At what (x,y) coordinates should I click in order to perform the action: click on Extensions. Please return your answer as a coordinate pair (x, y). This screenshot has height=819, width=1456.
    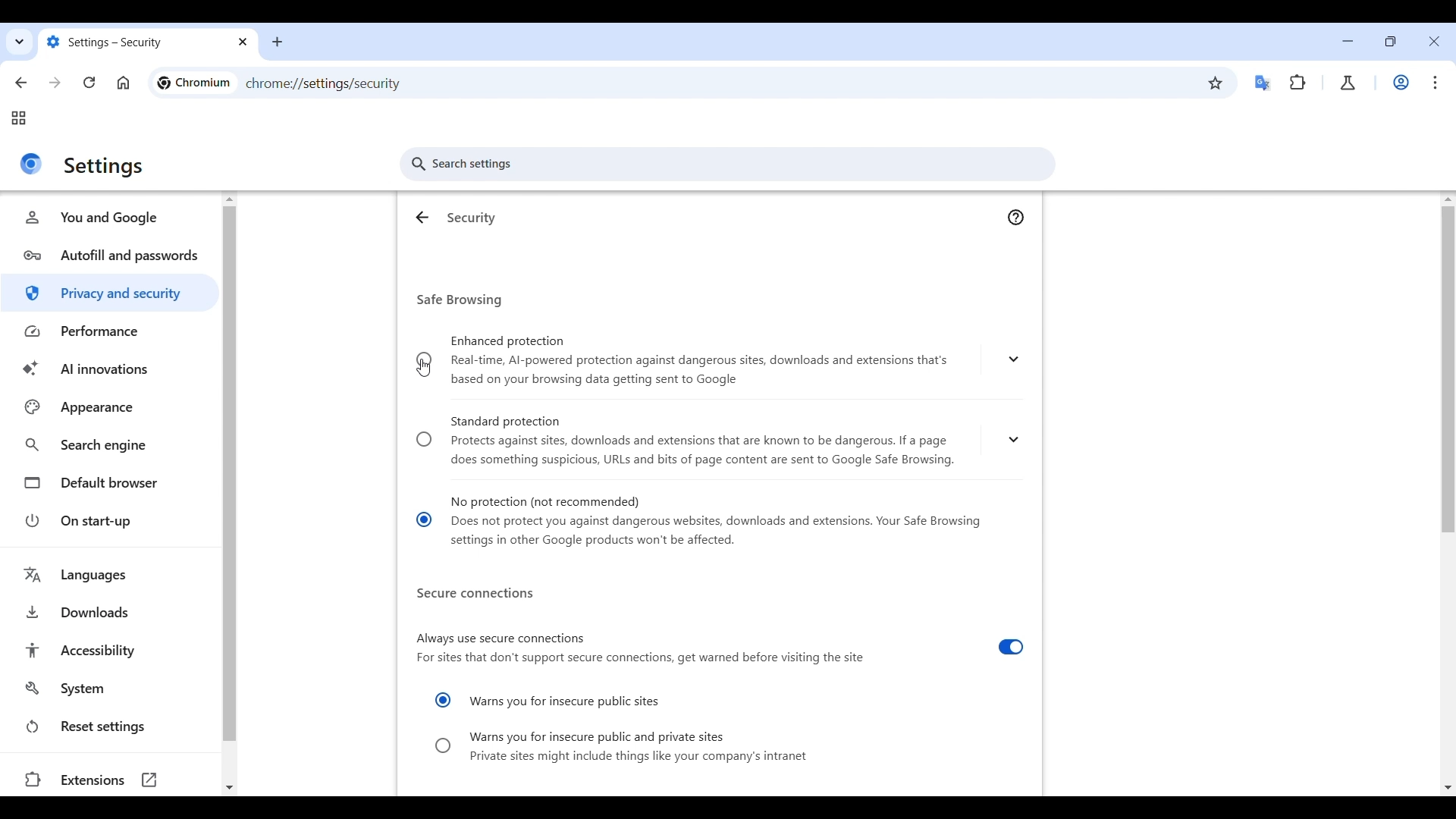
    Looking at the image, I should click on (111, 780).